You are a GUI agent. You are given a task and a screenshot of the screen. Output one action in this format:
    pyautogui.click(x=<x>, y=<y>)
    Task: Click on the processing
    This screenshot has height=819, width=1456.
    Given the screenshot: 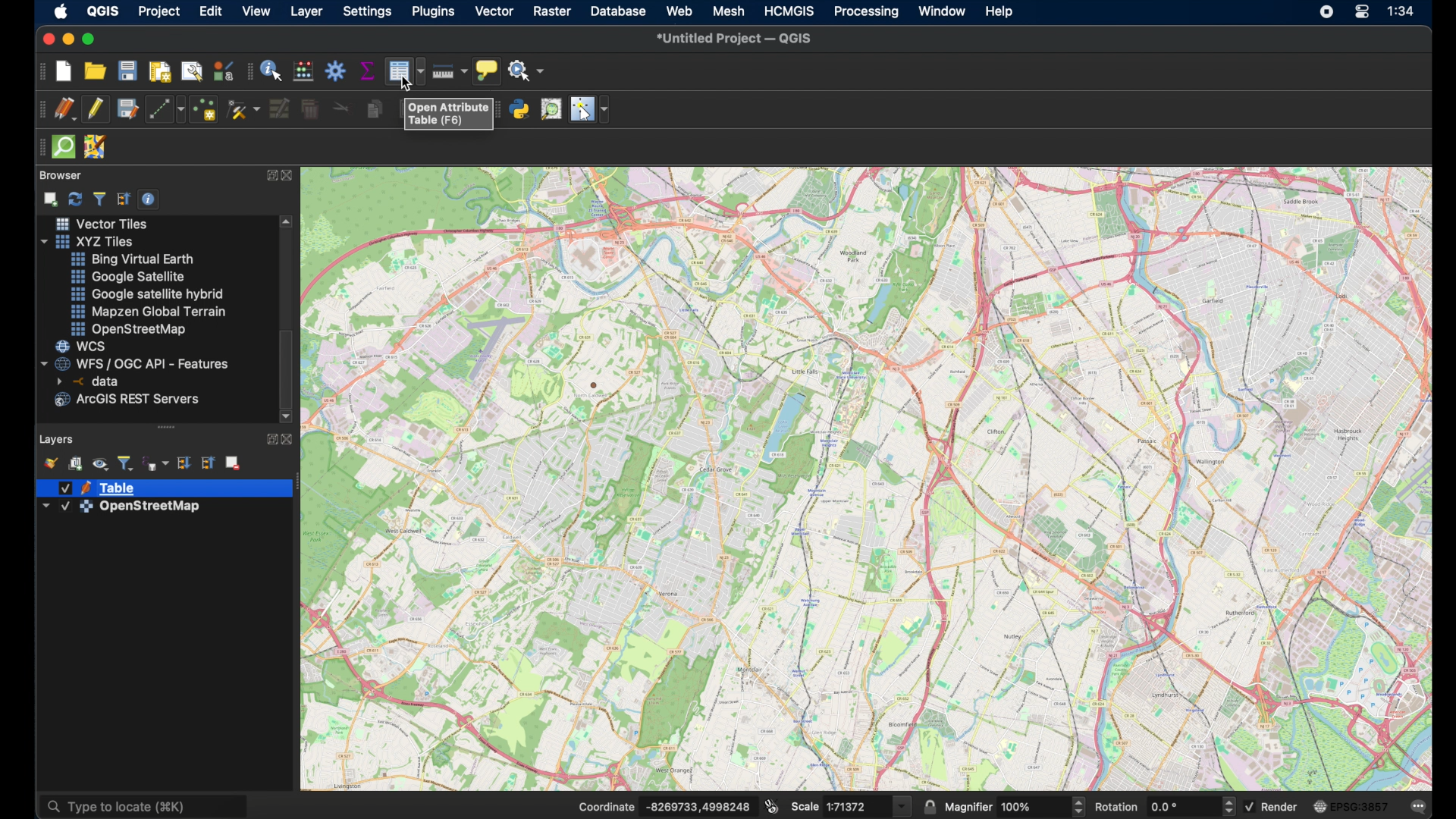 What is the action you would take?
    pyautogui.click(x=867, y=12)
    